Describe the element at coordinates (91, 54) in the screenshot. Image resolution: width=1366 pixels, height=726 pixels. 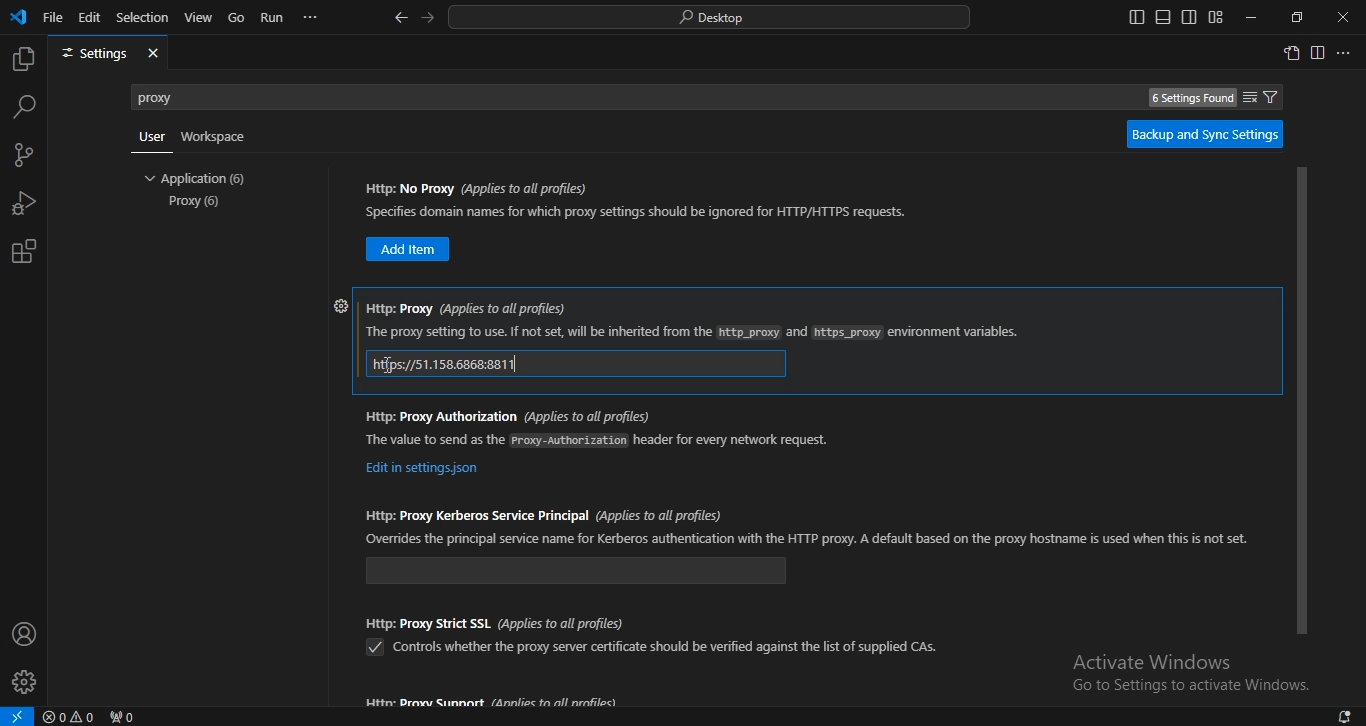
I see `settings` at that location.